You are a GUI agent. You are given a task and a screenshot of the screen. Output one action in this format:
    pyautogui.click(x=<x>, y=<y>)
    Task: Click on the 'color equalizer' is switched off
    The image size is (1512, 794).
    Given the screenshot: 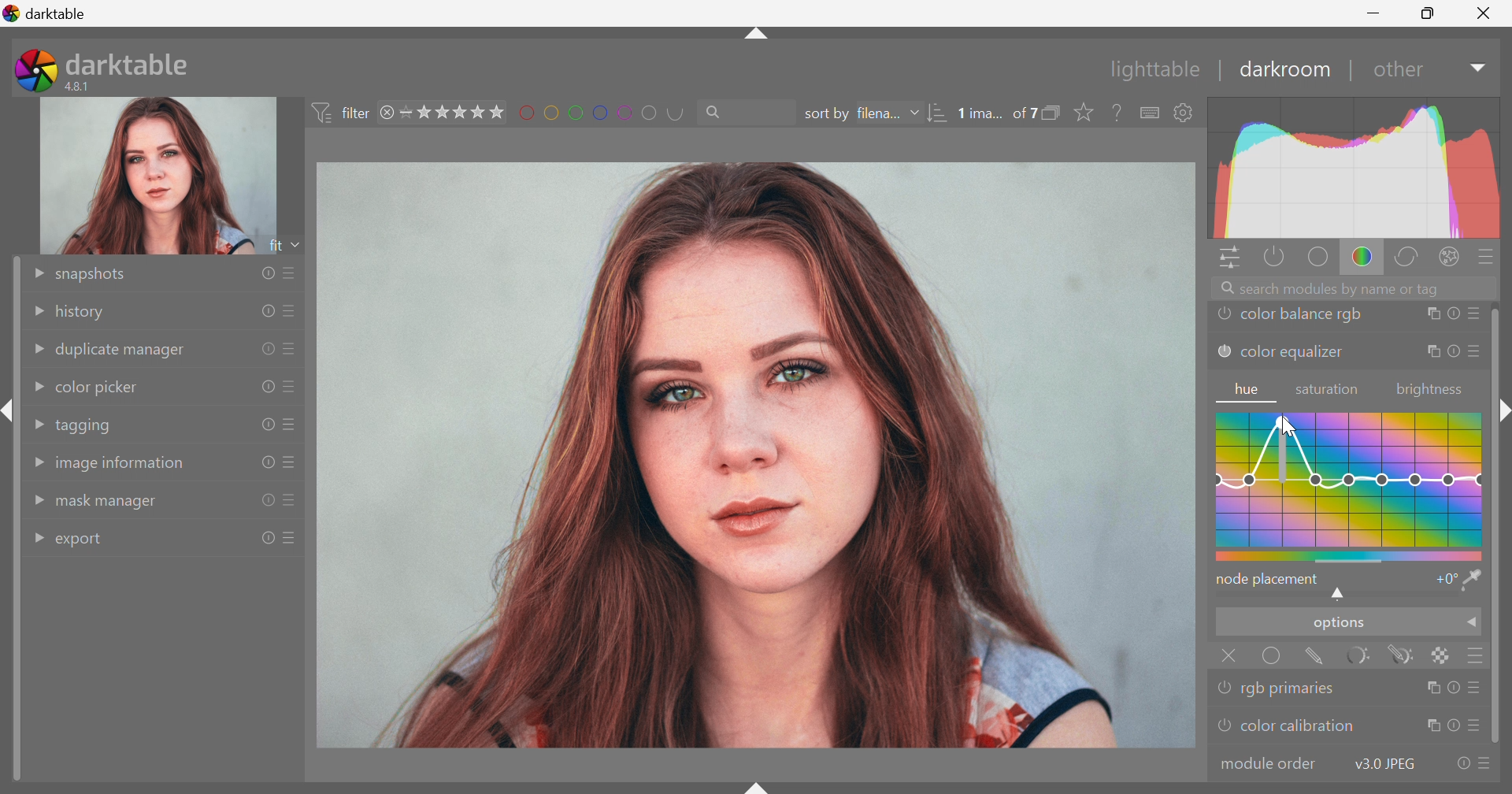 What is the action you would take?
    pyautogui.click(x=1223, y=351)
    